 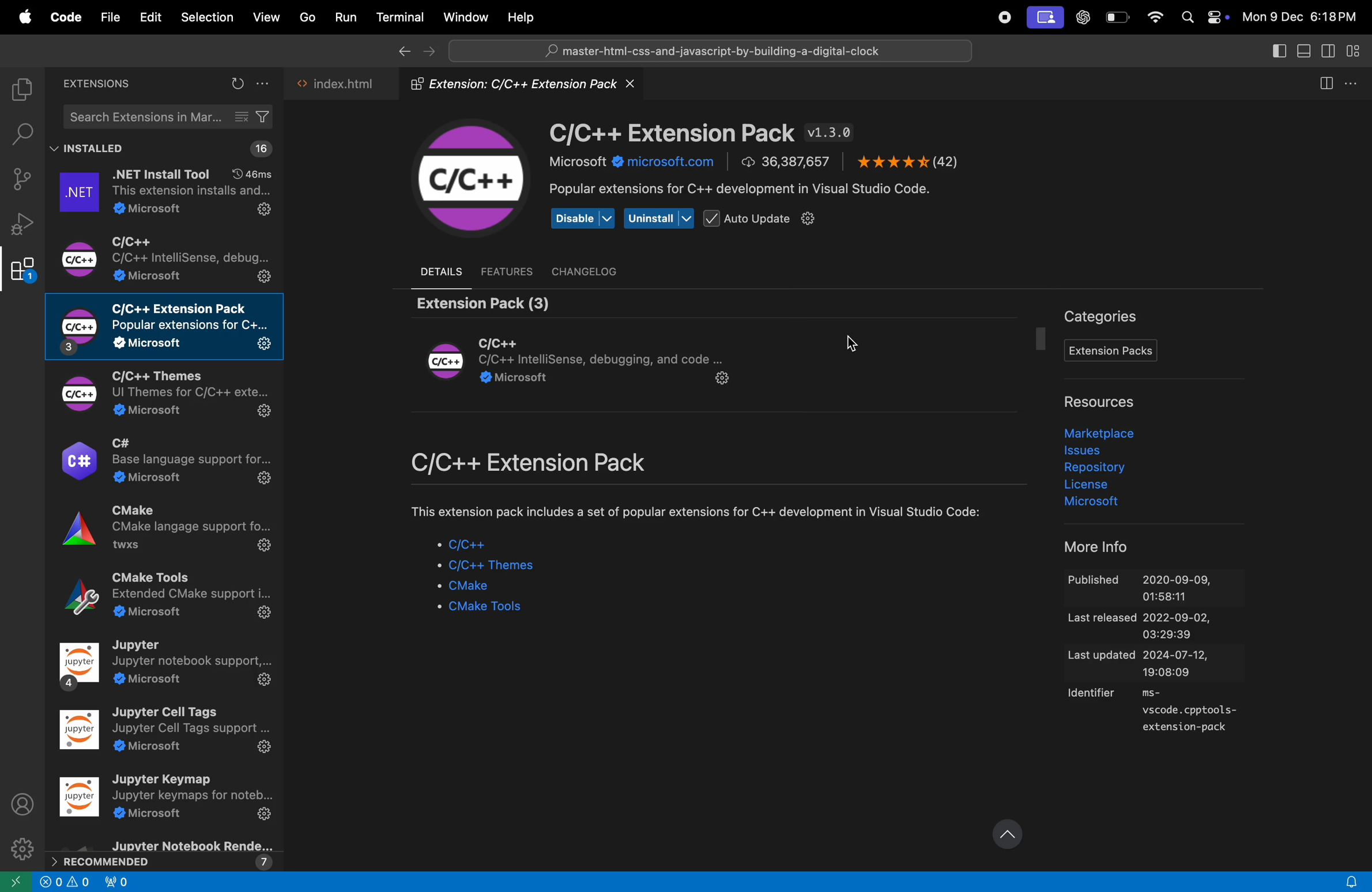 What do you see at coordinates (1351, 876) in the screenshot?
I see `alert` at bounding box center [1351, 876].